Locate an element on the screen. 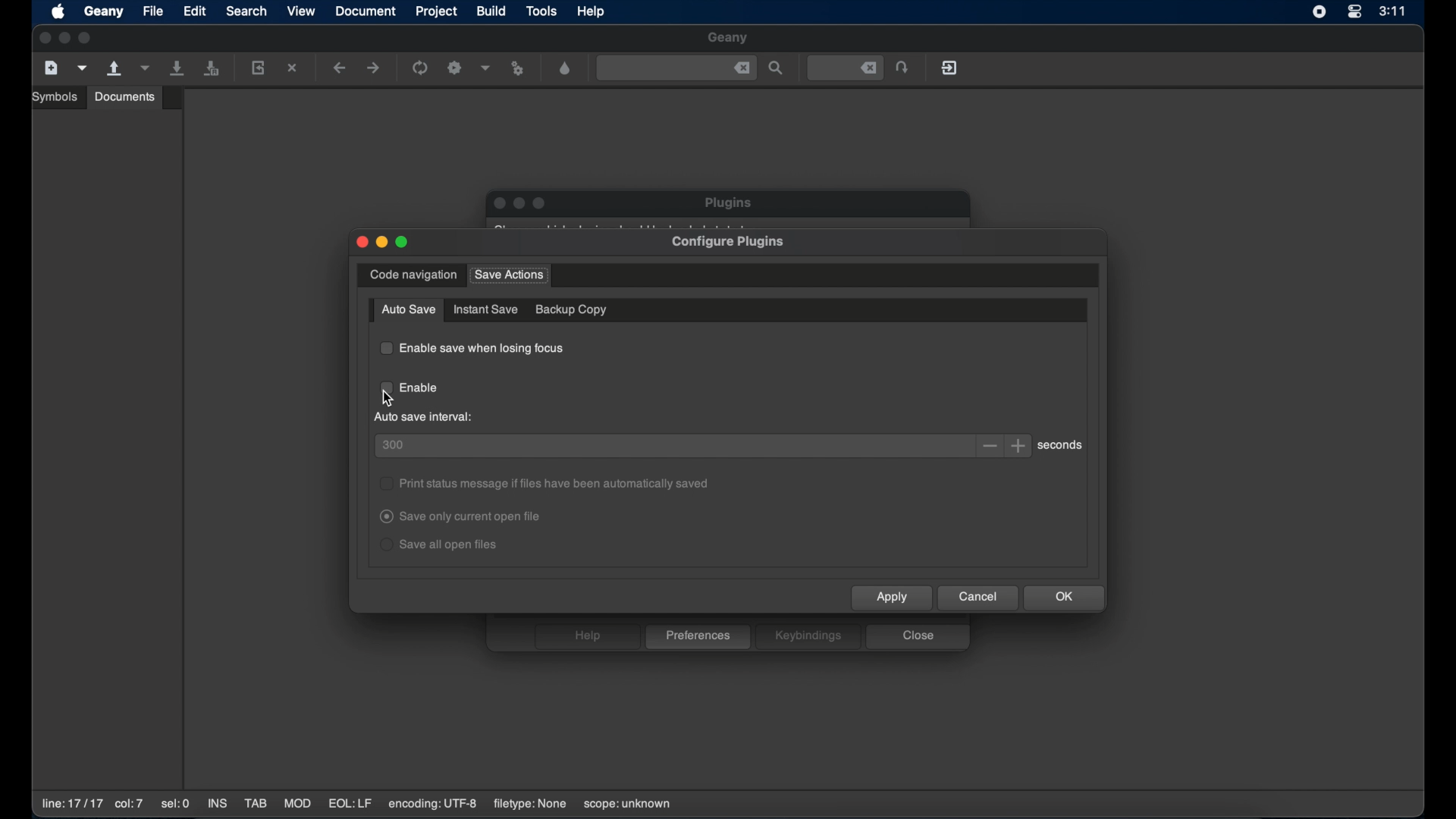  maximize is located at coordinates (541, 203).